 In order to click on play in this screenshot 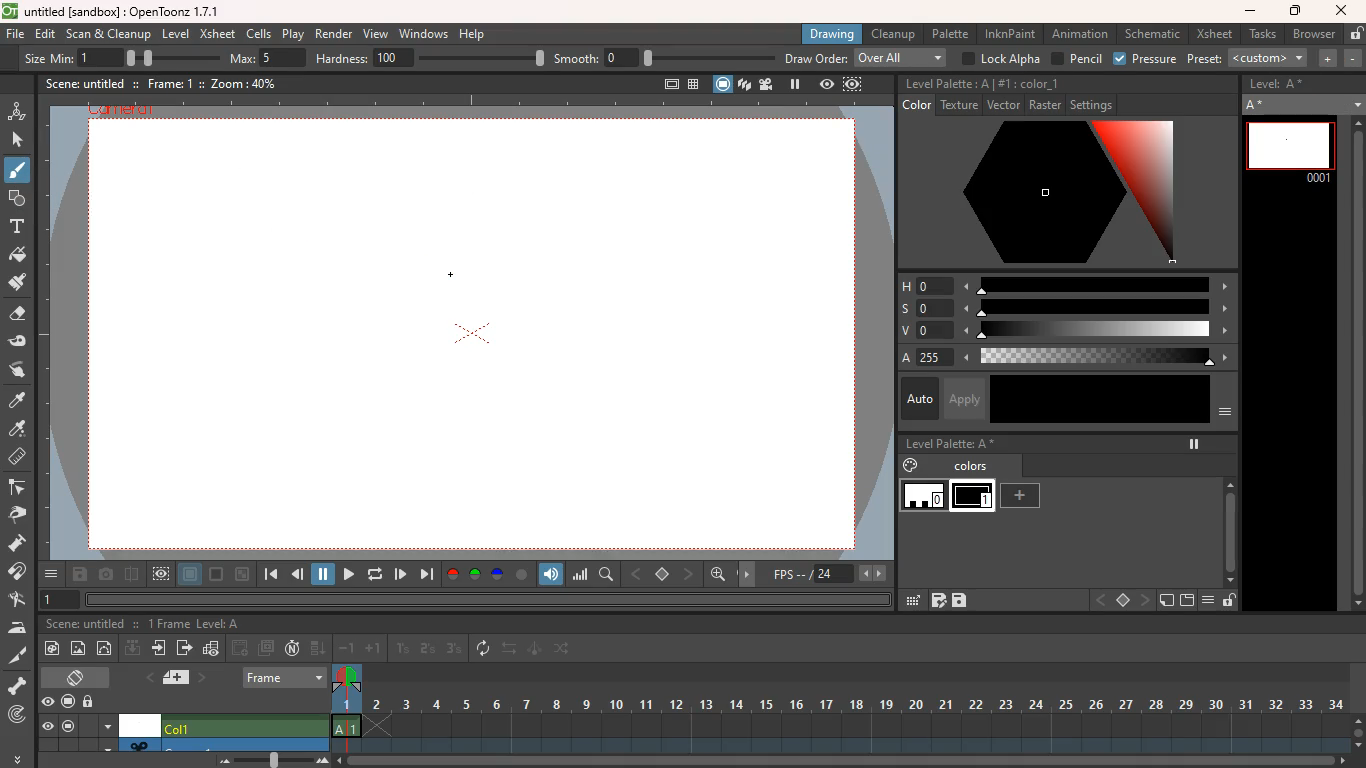, I will do `click(292, 34)`.